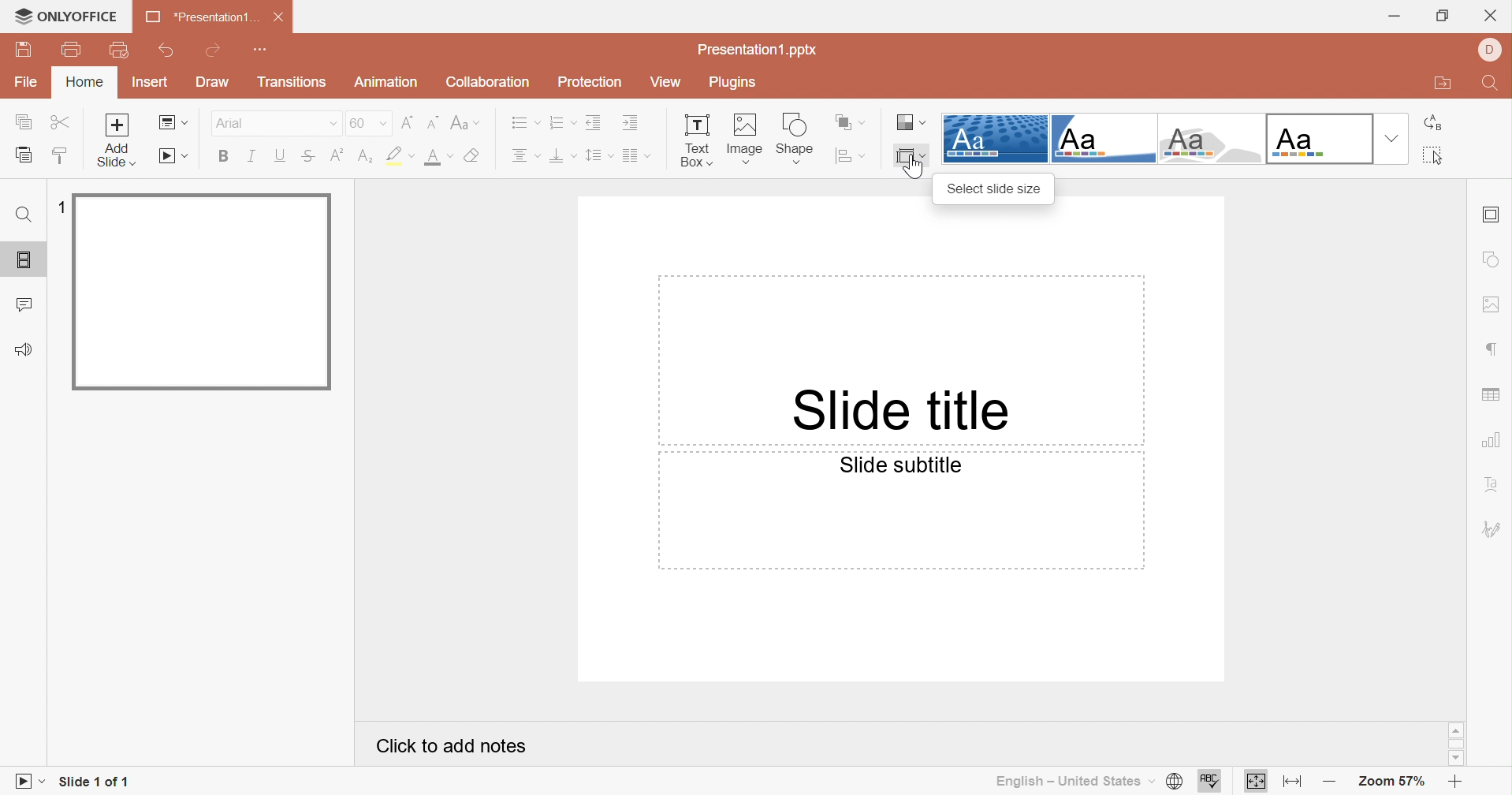 Image resolution: width=1512 pixels, height=795 pixels. I want to click on Change color theme, so click(911, 123).